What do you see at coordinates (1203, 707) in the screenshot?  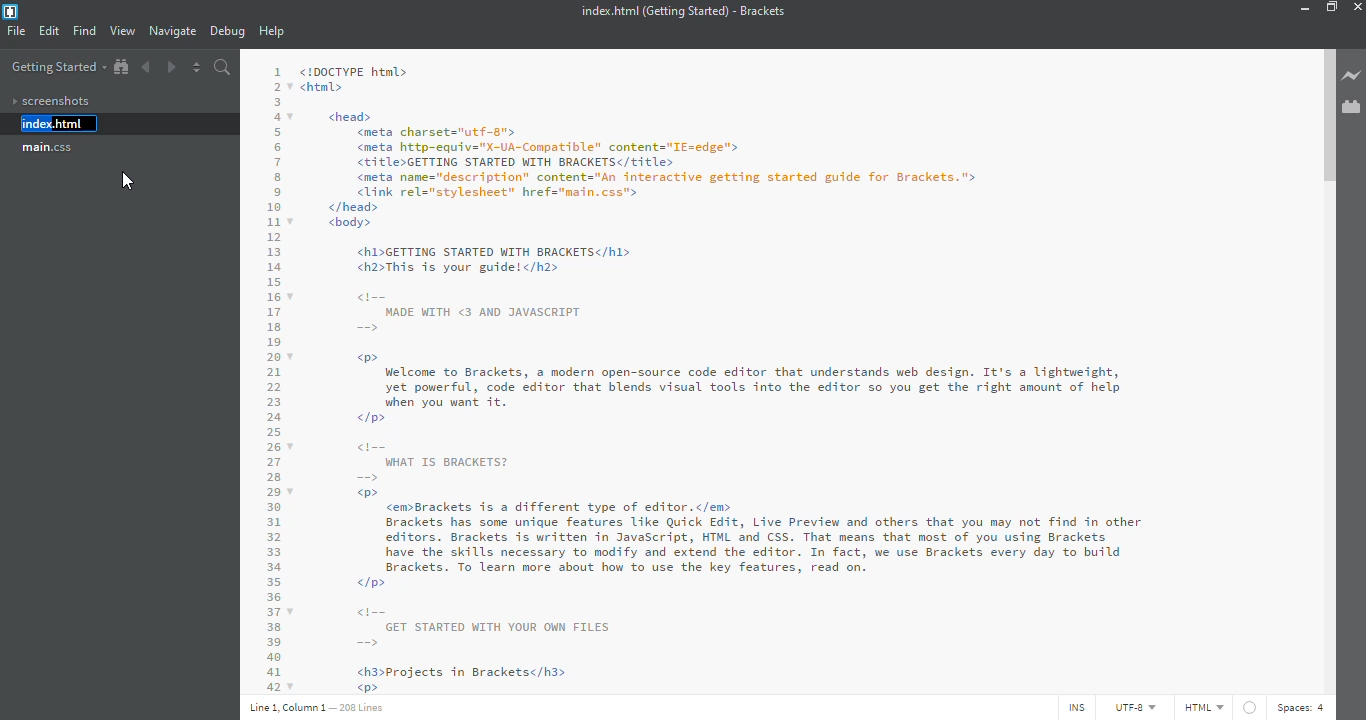 I see `html` at bounding box center [1203, 707].